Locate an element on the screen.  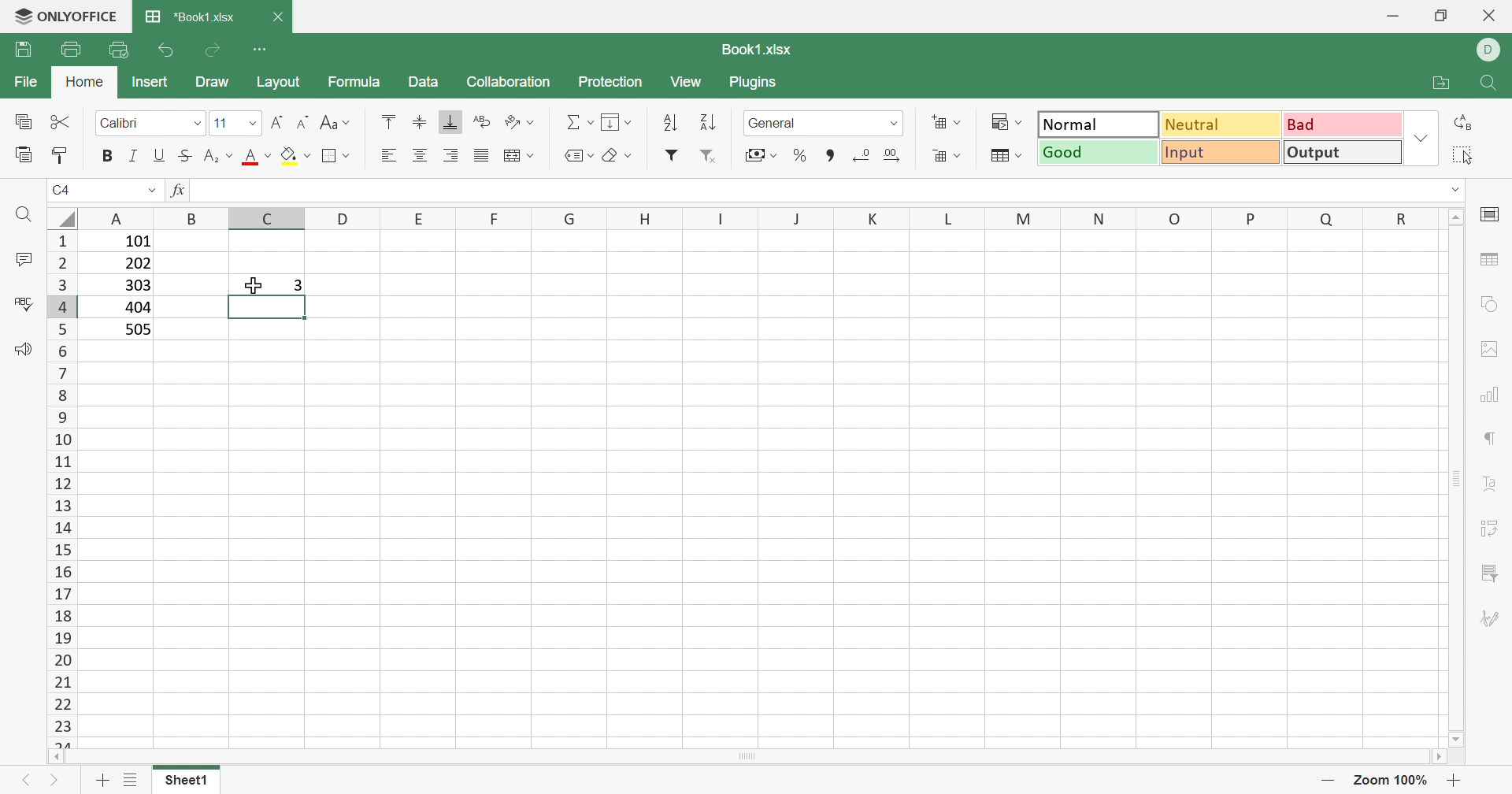
Draw is located at coordinates (214, 84).